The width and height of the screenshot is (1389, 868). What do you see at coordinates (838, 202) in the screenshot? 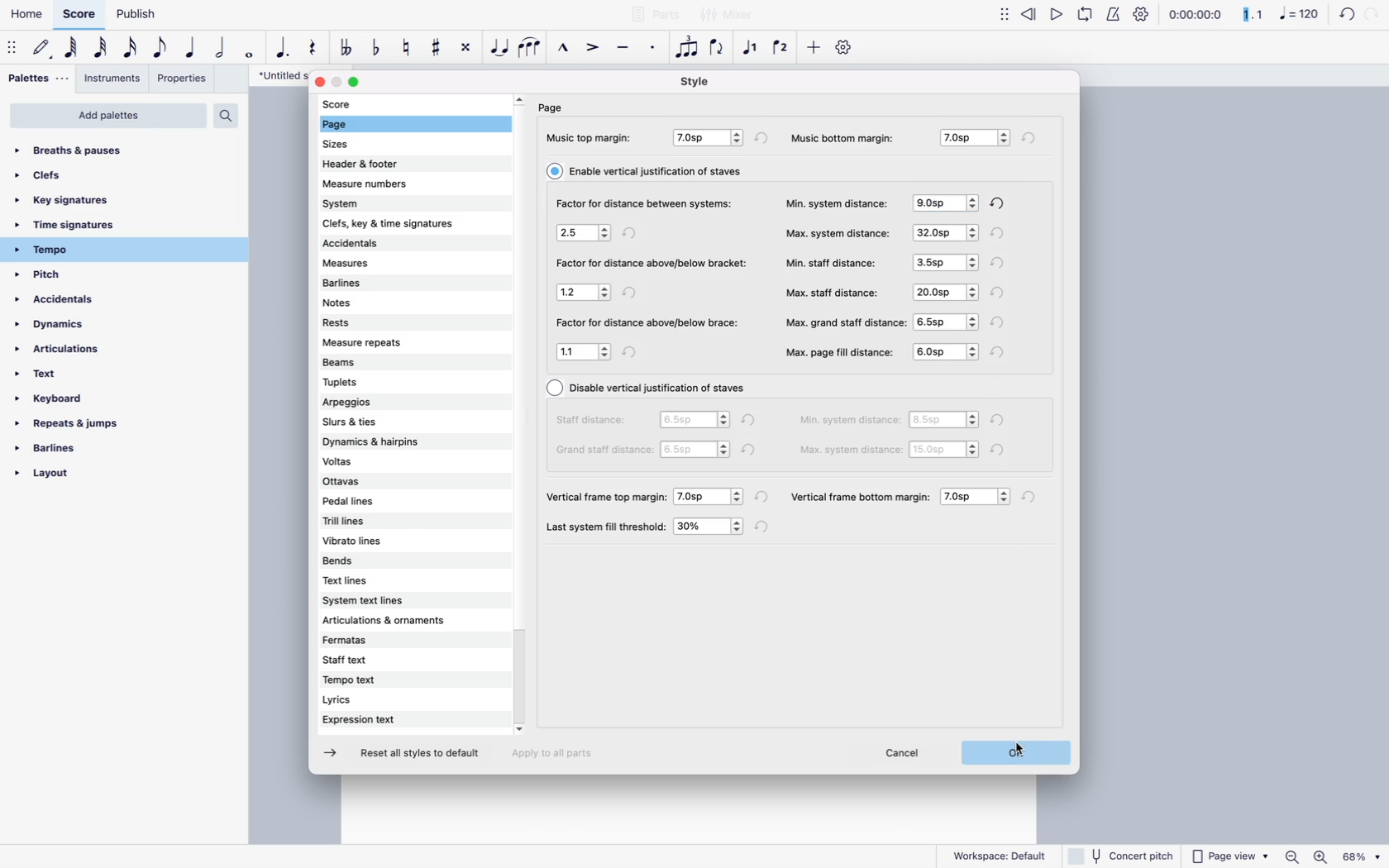
I see `myn system distance` at bounding box center [838, 202].